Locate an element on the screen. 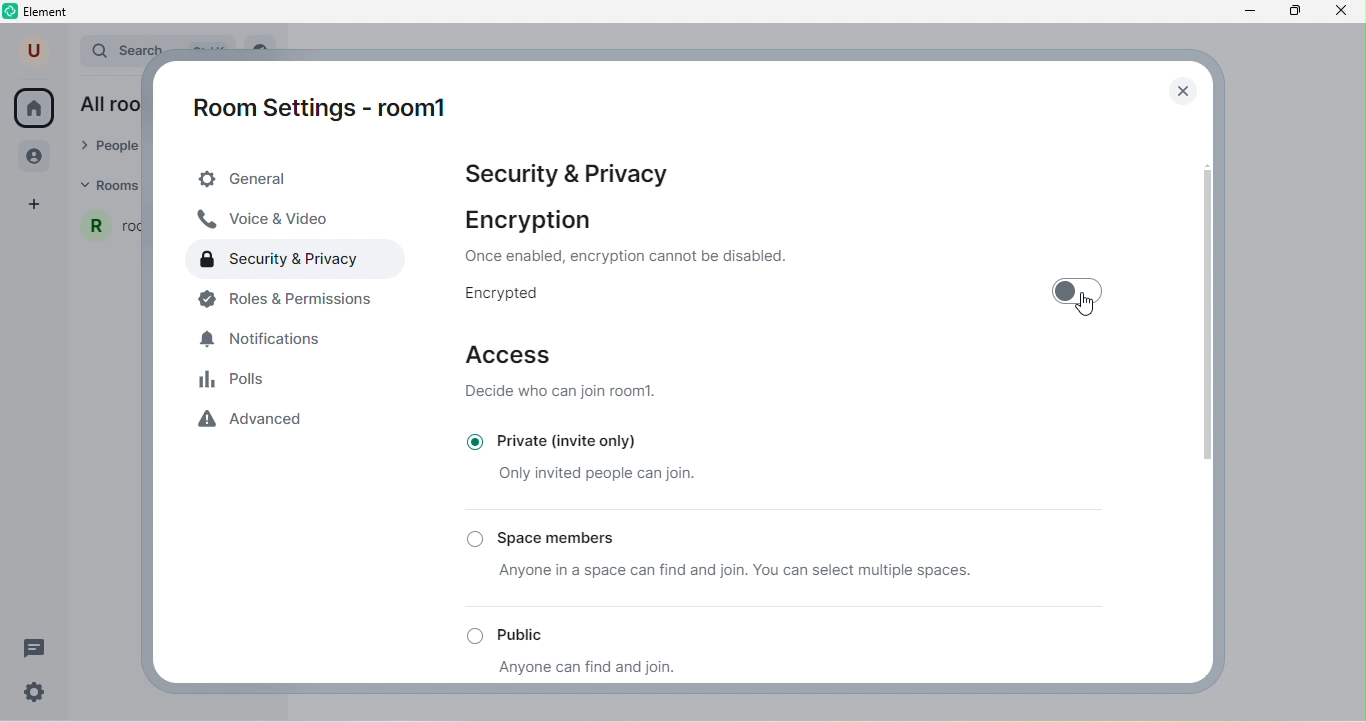 The image size is (1366, 722). vertical scroll bar is located at coordinates (1202, 313).